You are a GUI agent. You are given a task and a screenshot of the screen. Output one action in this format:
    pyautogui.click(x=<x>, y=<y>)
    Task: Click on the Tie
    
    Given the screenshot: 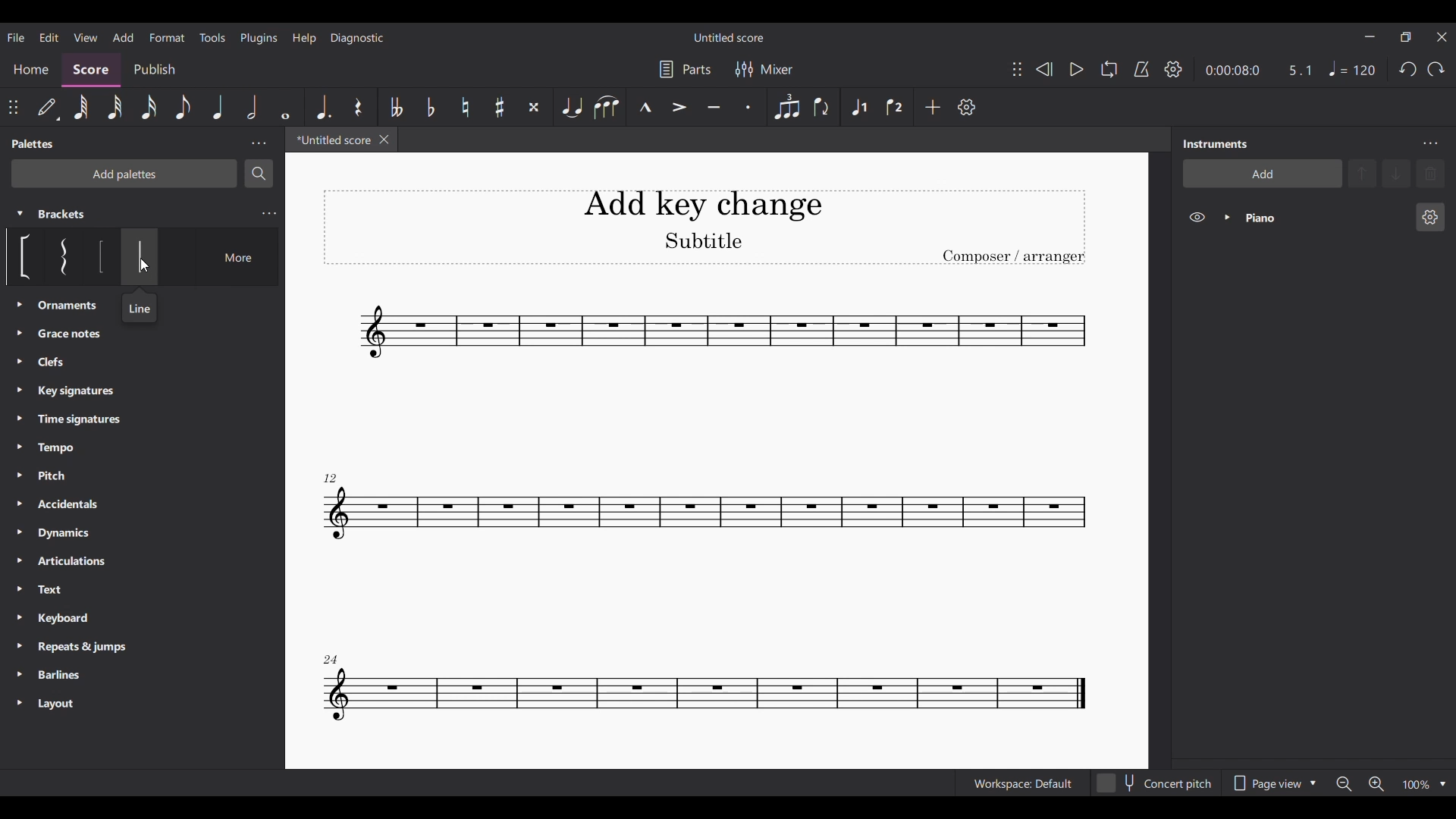 What is the action you would take?
    pyautogui.click(x=573, y=107)
    